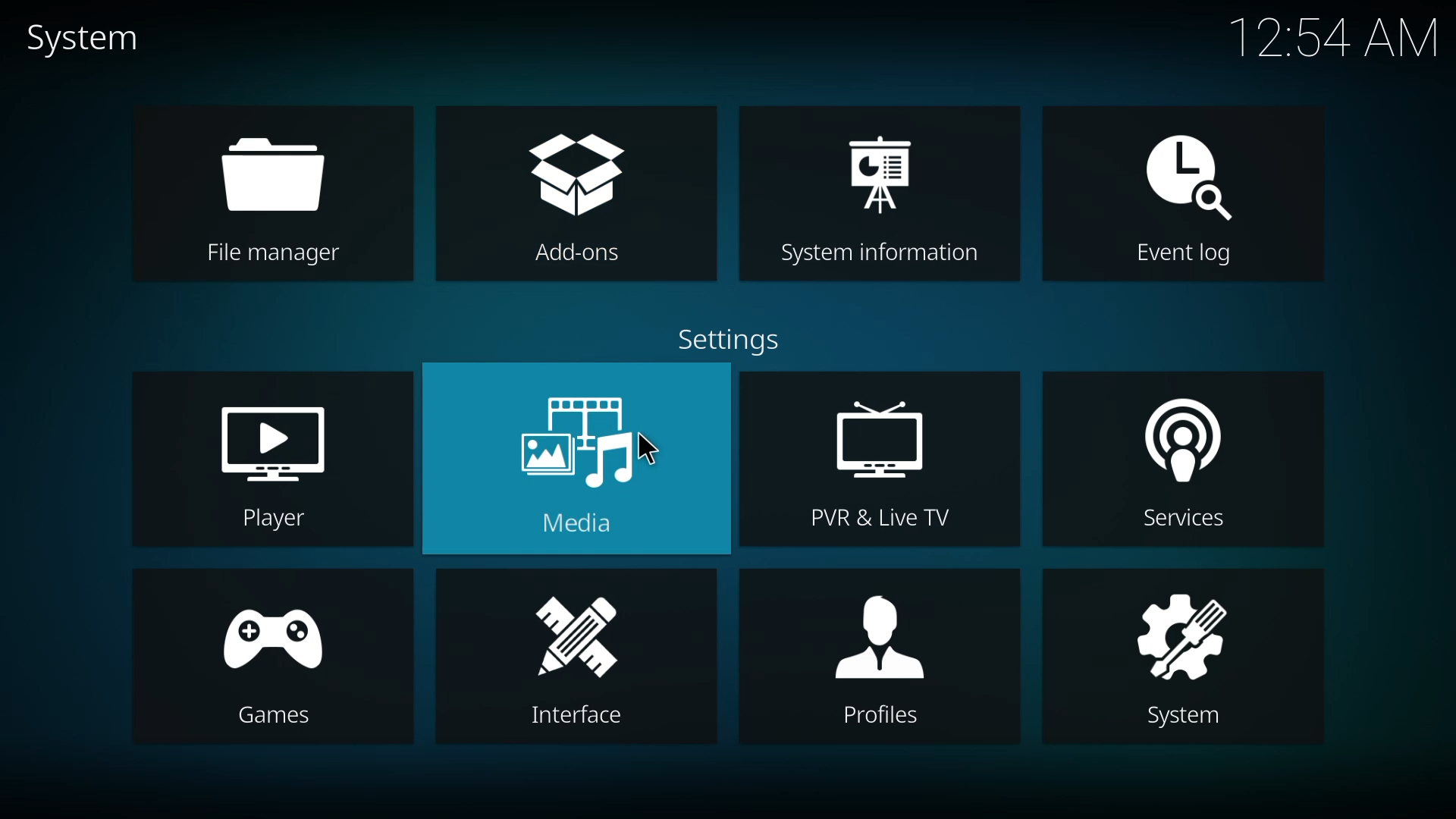 The height and width of the screenshot is (819, 1456). Describe the element at coordinates (585, 198) in the screenshot. I see `add-ons` at that location.